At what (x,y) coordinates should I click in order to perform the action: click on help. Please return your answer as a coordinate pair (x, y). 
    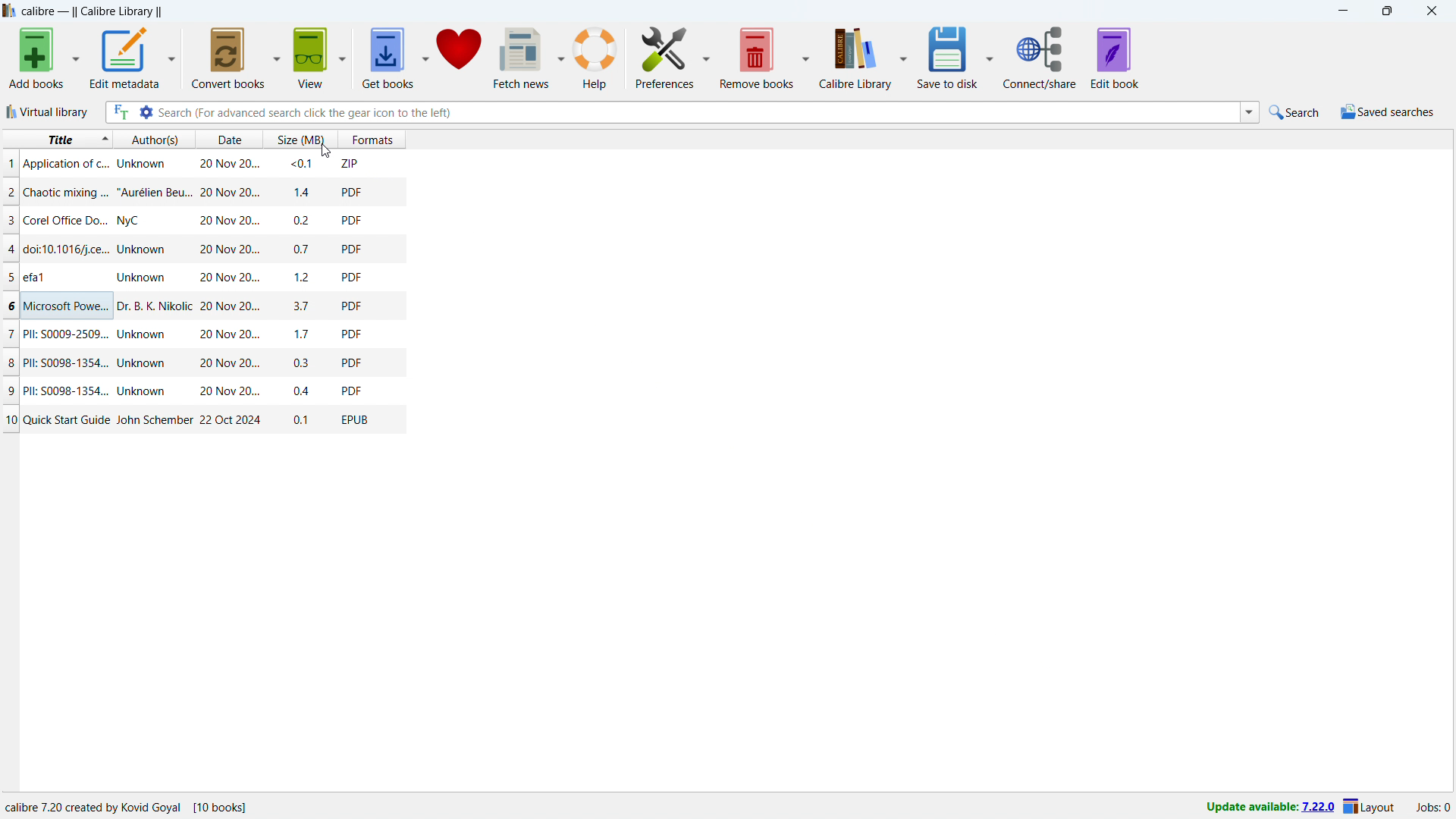
    Looking at the image, I should click on (595, 57).